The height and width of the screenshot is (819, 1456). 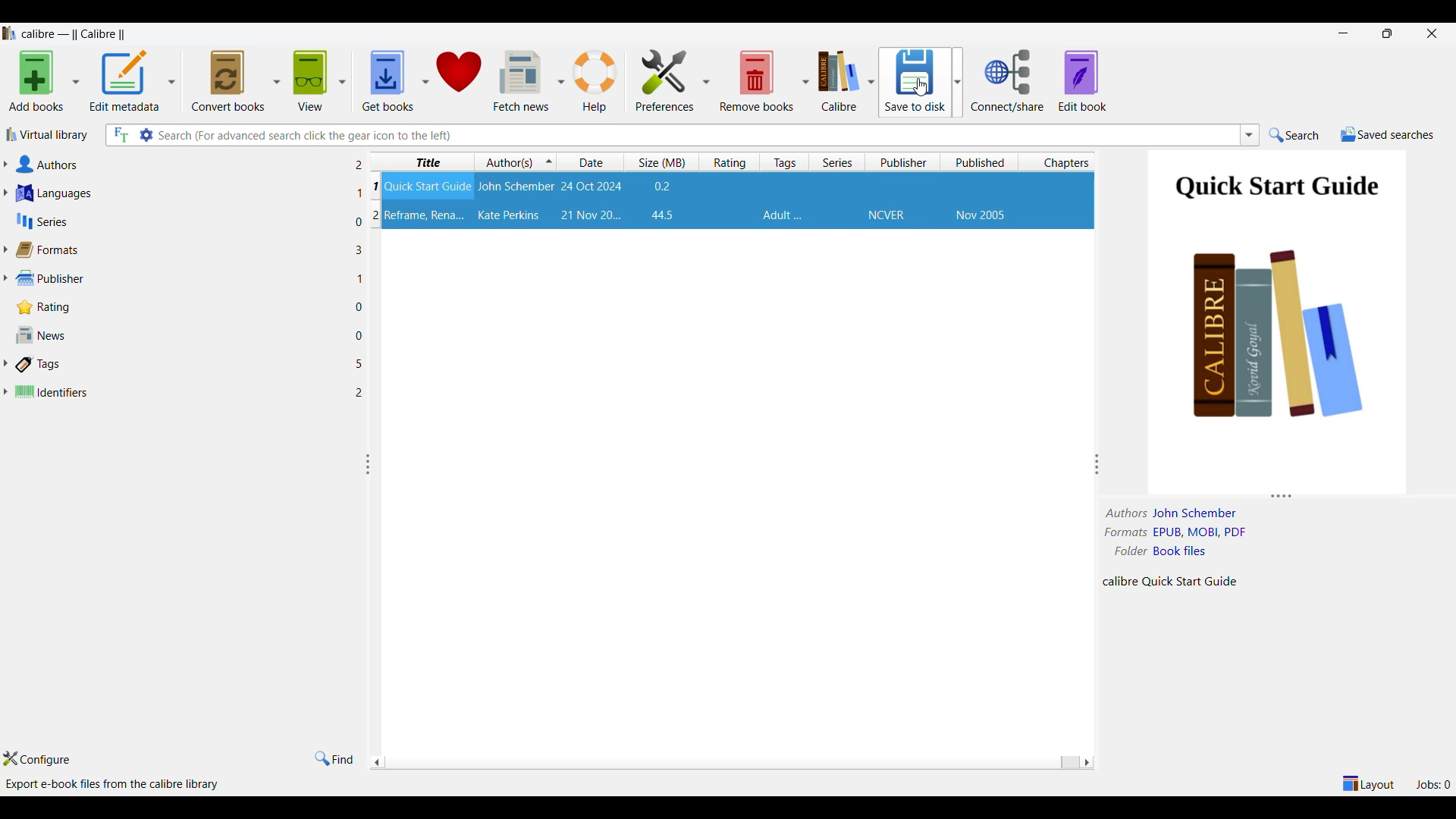 What do you see at coordinates (74, 34) in the screenshot?
I see `Software name` at bounding box center [74, 34].